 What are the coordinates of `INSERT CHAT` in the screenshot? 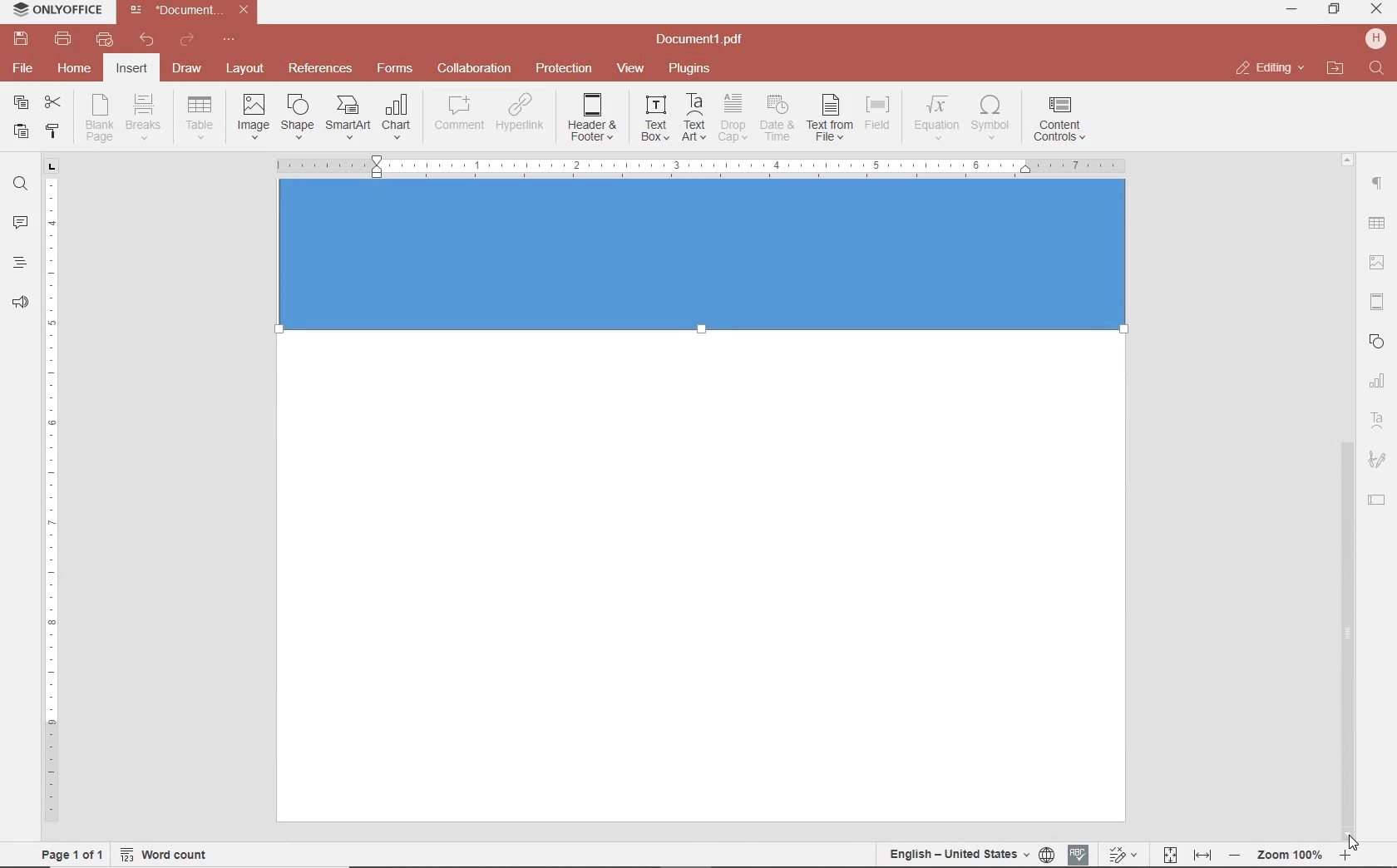 It's located at (397, 118).